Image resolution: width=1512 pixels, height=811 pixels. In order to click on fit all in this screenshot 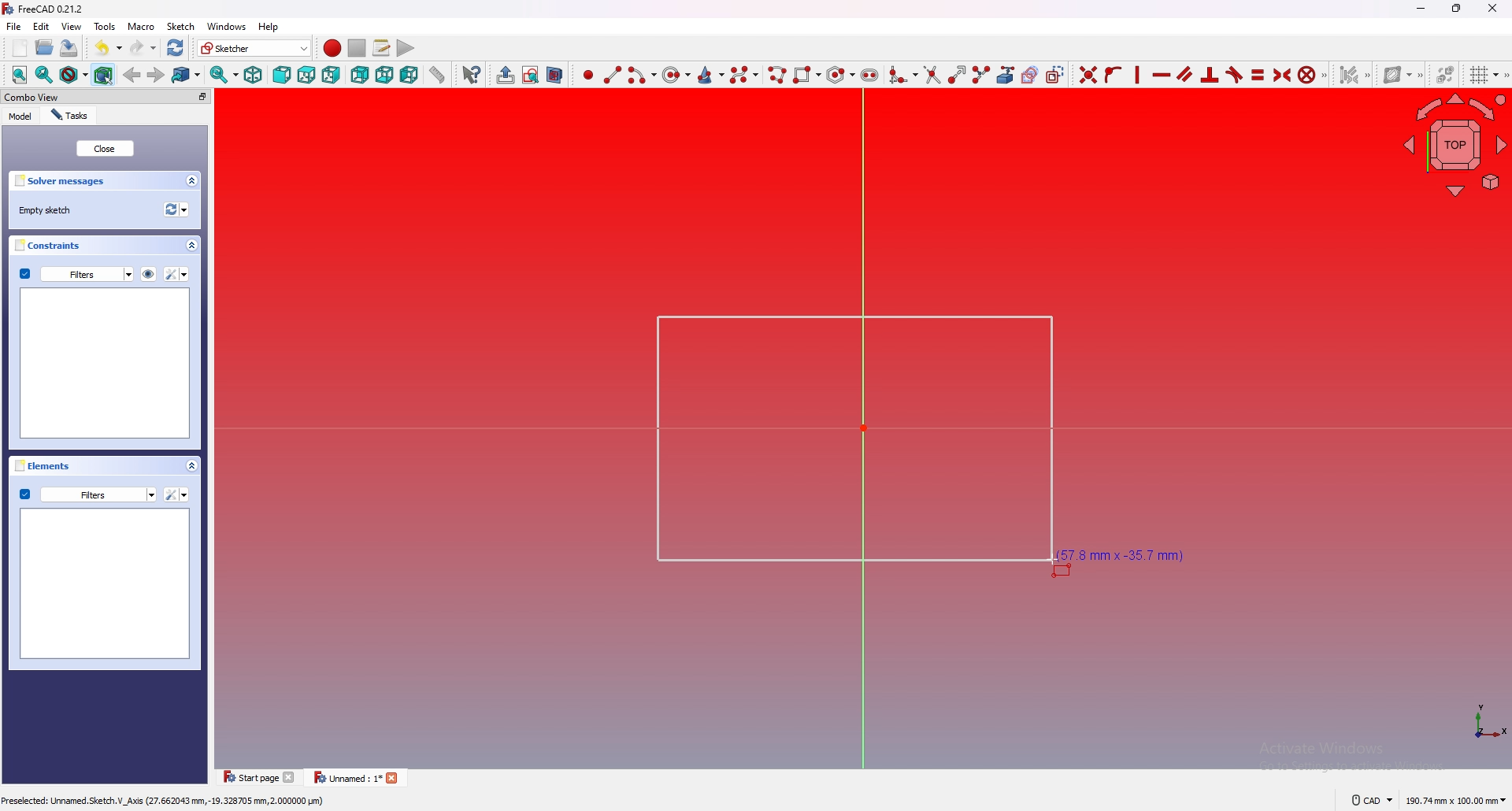, I will do `click(19, 75)`.